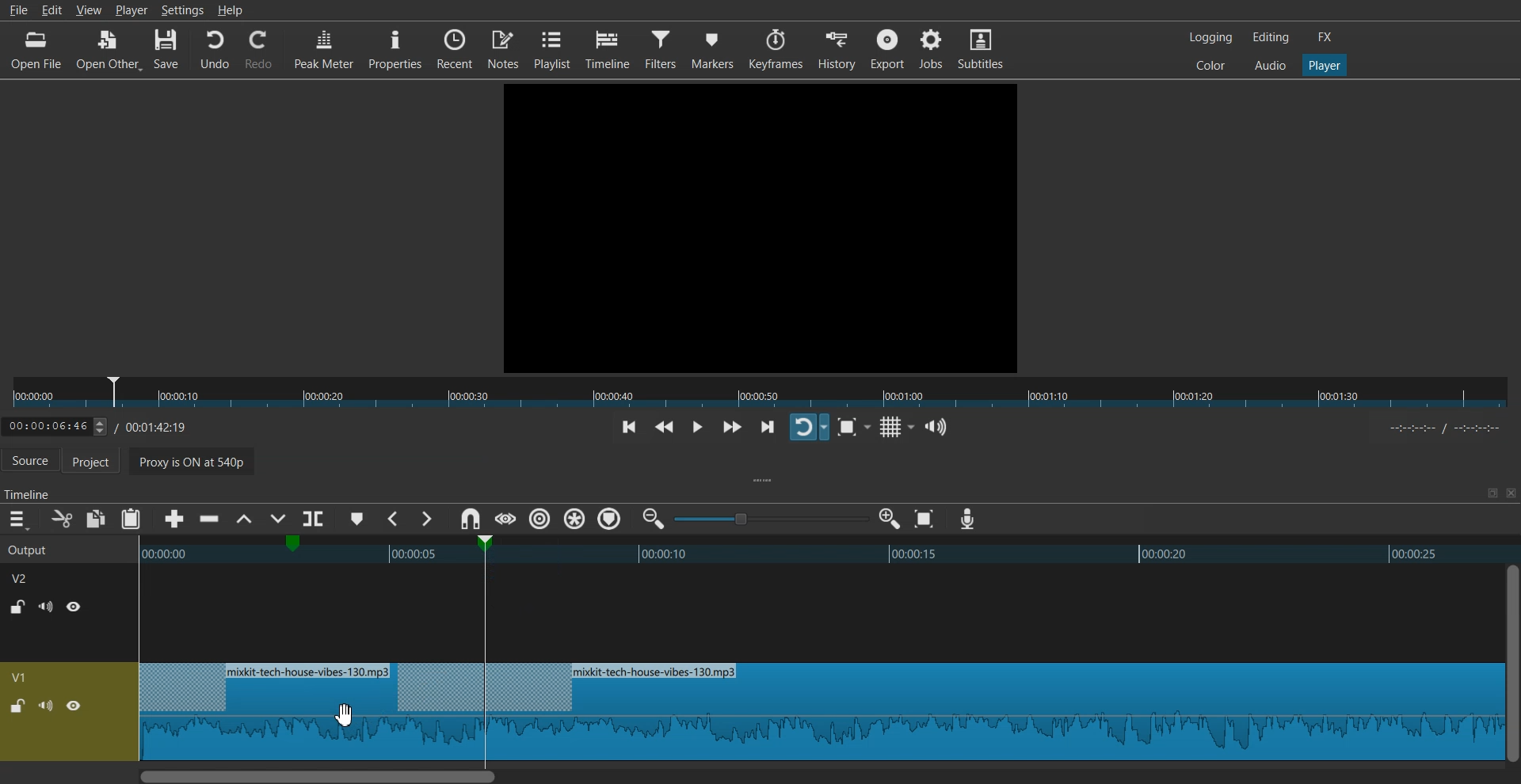 Image resolution: width=1521 pixels, height=784 pixels. I want to click on Save, so click(167, 50).